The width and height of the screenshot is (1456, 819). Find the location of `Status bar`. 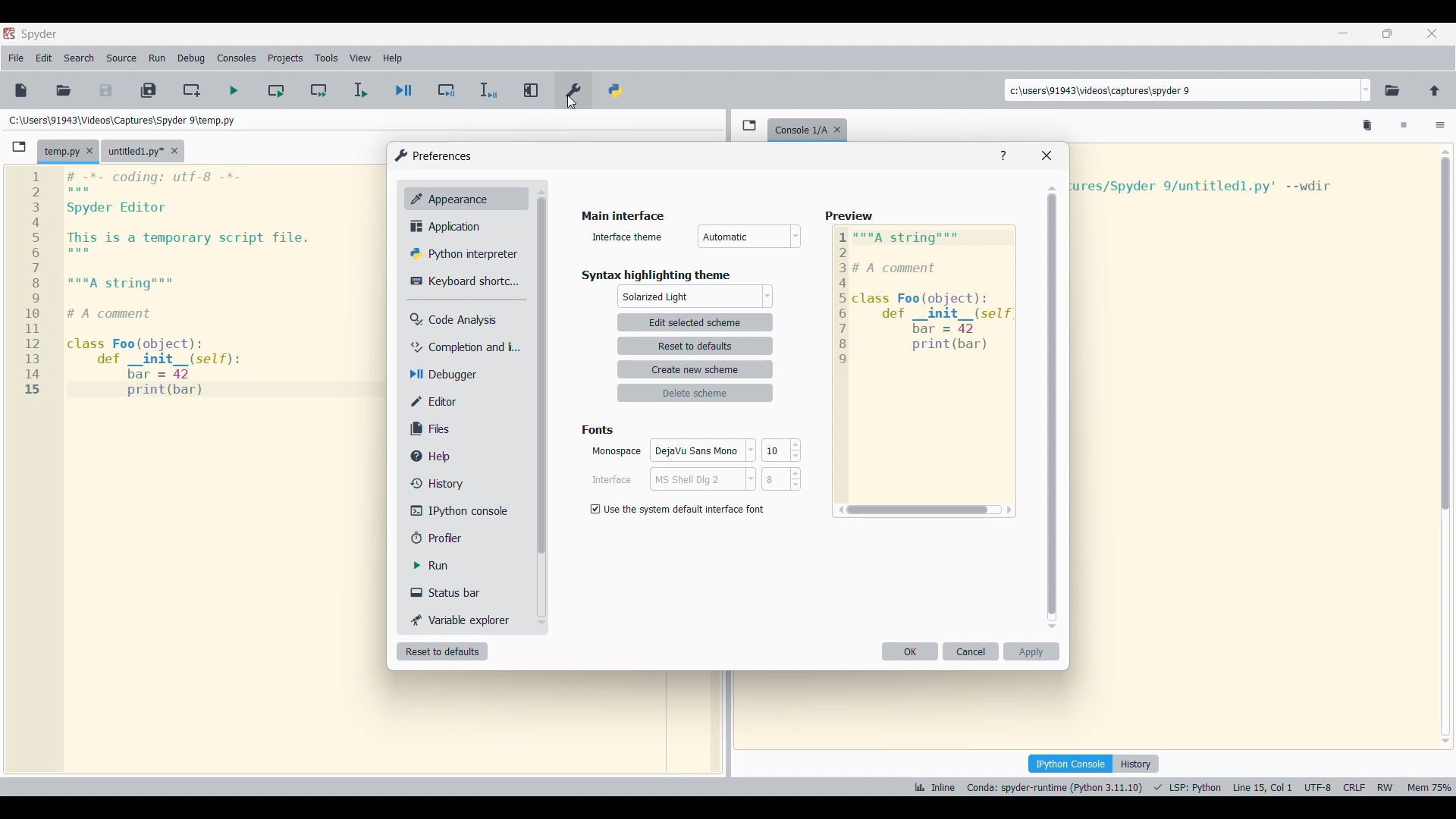

Status bar is located at coordinates (466, 592).